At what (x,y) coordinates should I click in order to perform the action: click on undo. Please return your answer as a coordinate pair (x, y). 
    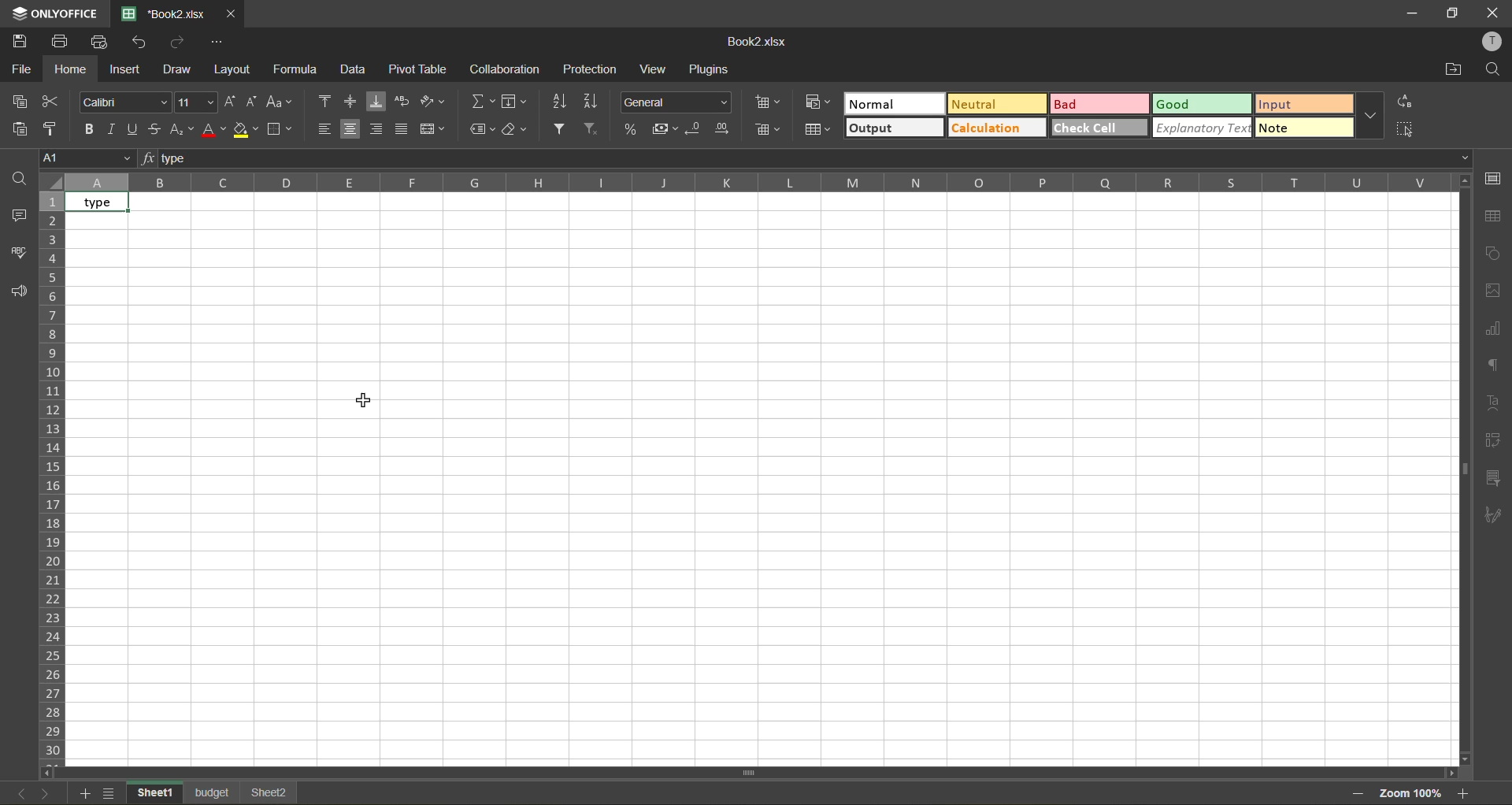
    Looking at the image, I should click on (140, 43).